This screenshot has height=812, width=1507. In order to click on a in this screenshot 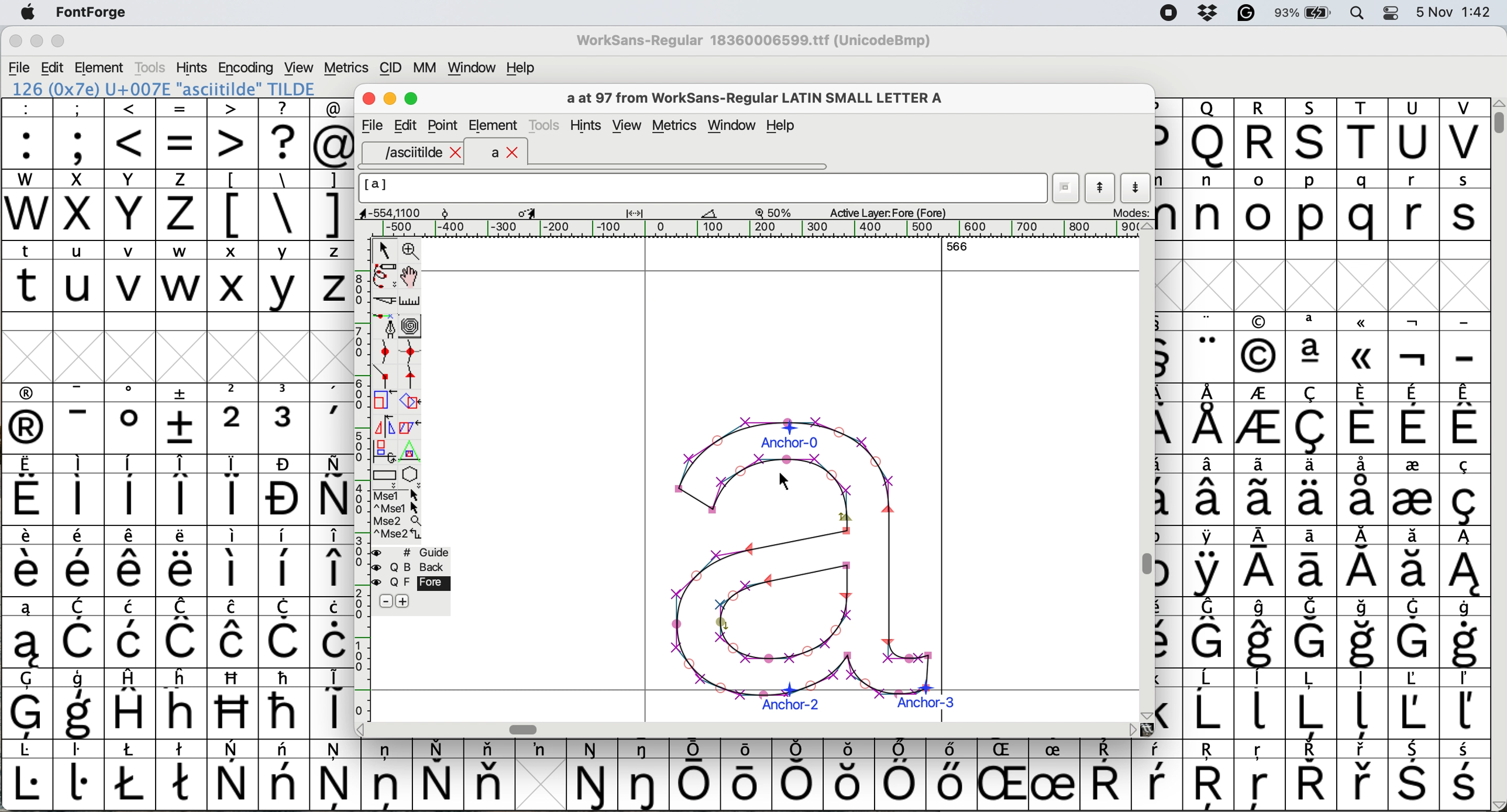, I will do `click(505, 153)`.